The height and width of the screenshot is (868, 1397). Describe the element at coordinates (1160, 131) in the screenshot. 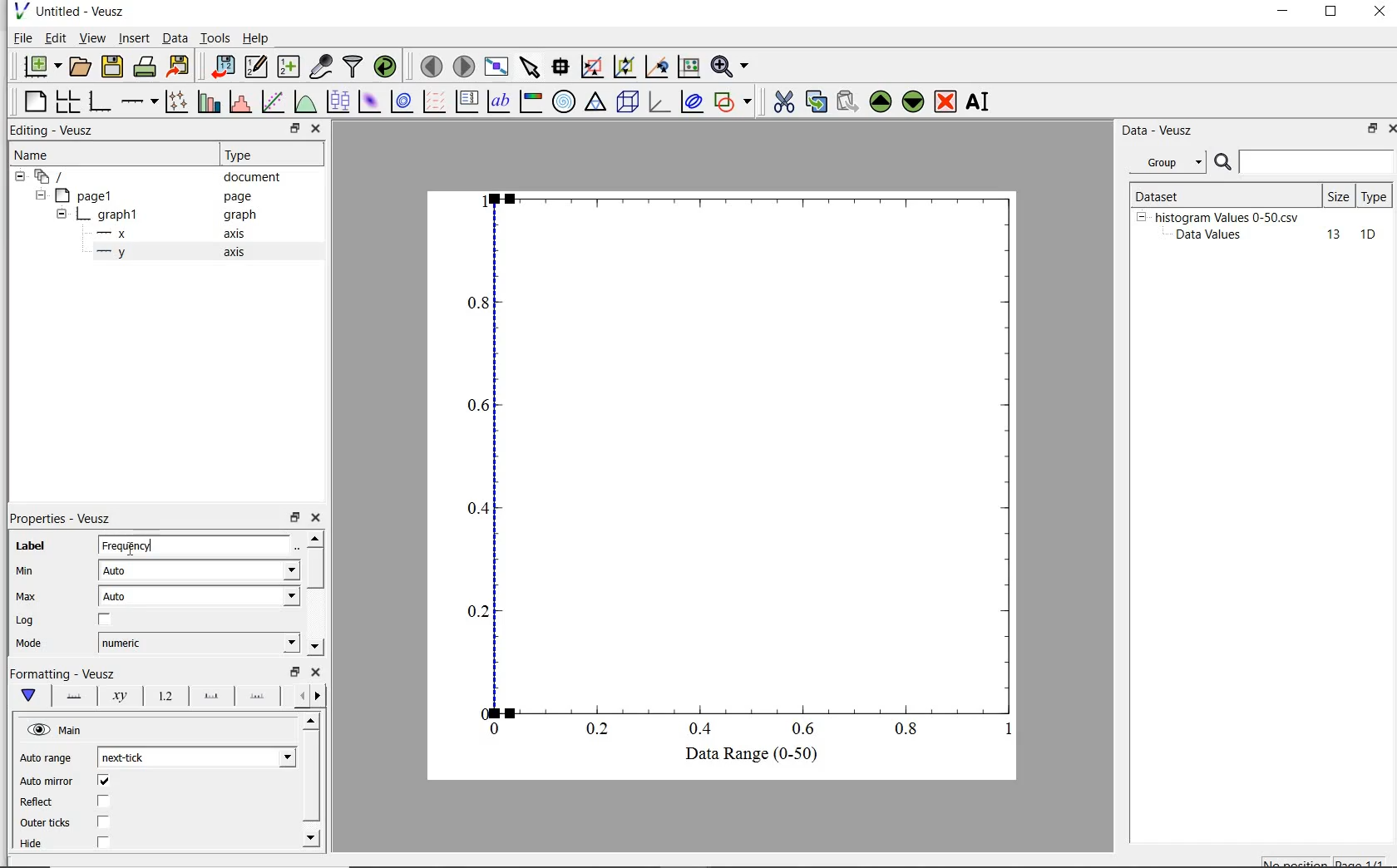

I see `Data - Veusz` at that location.